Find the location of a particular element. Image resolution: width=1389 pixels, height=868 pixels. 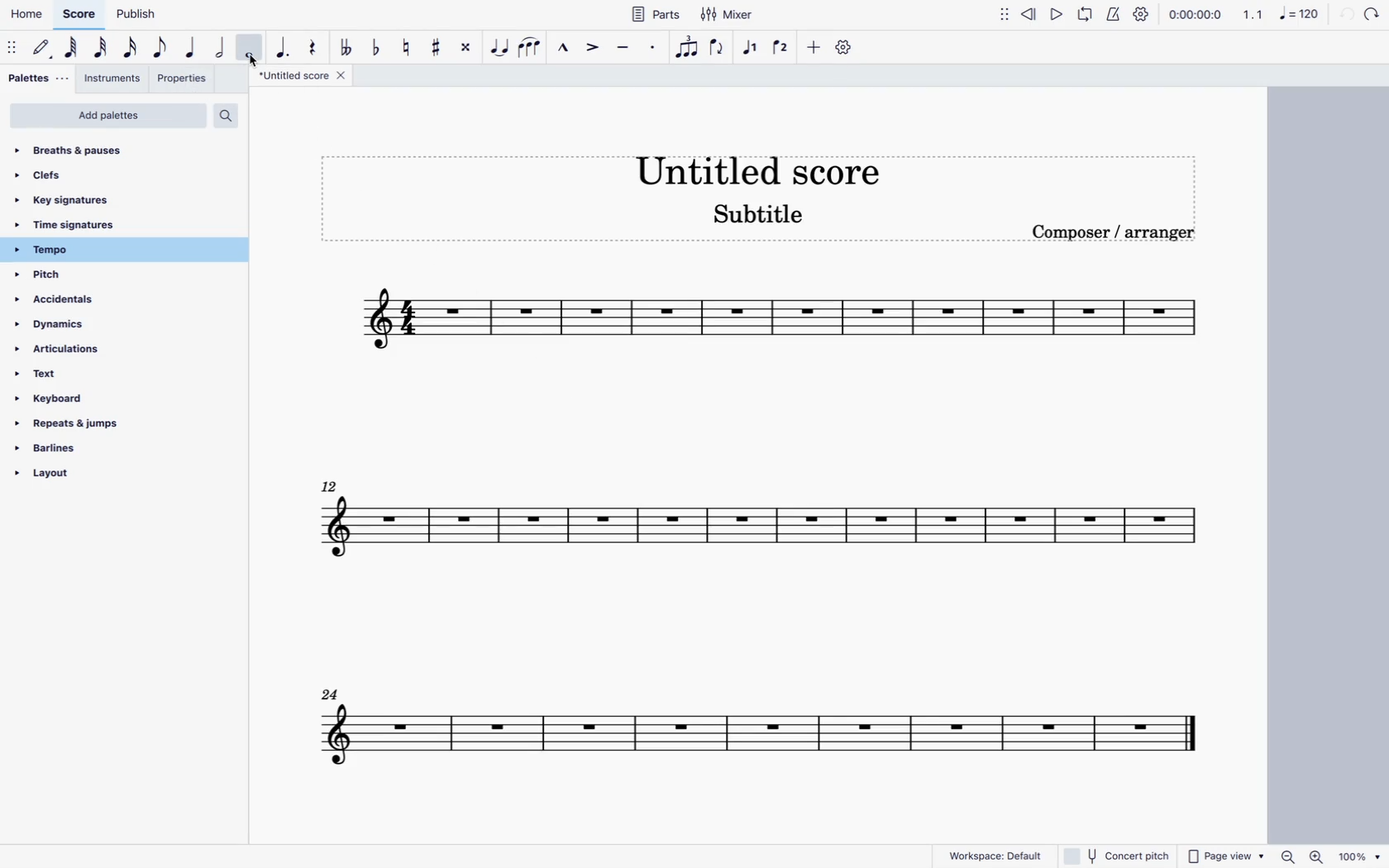

score title is located at coordinates (302, 78).